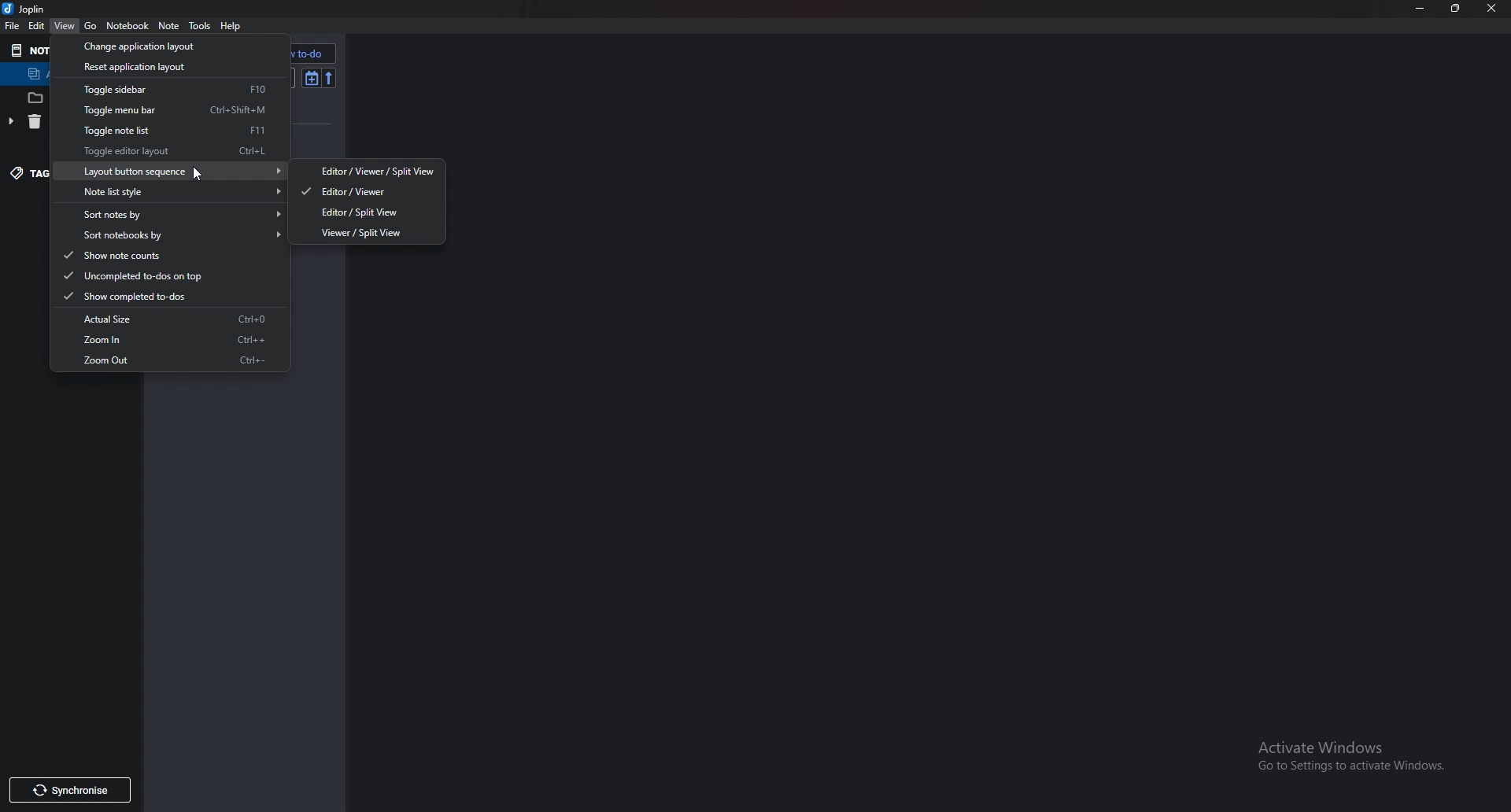  Describe the element at coordinates (329, 78) in the screenshot. I see `Reverse sort order` at that location.